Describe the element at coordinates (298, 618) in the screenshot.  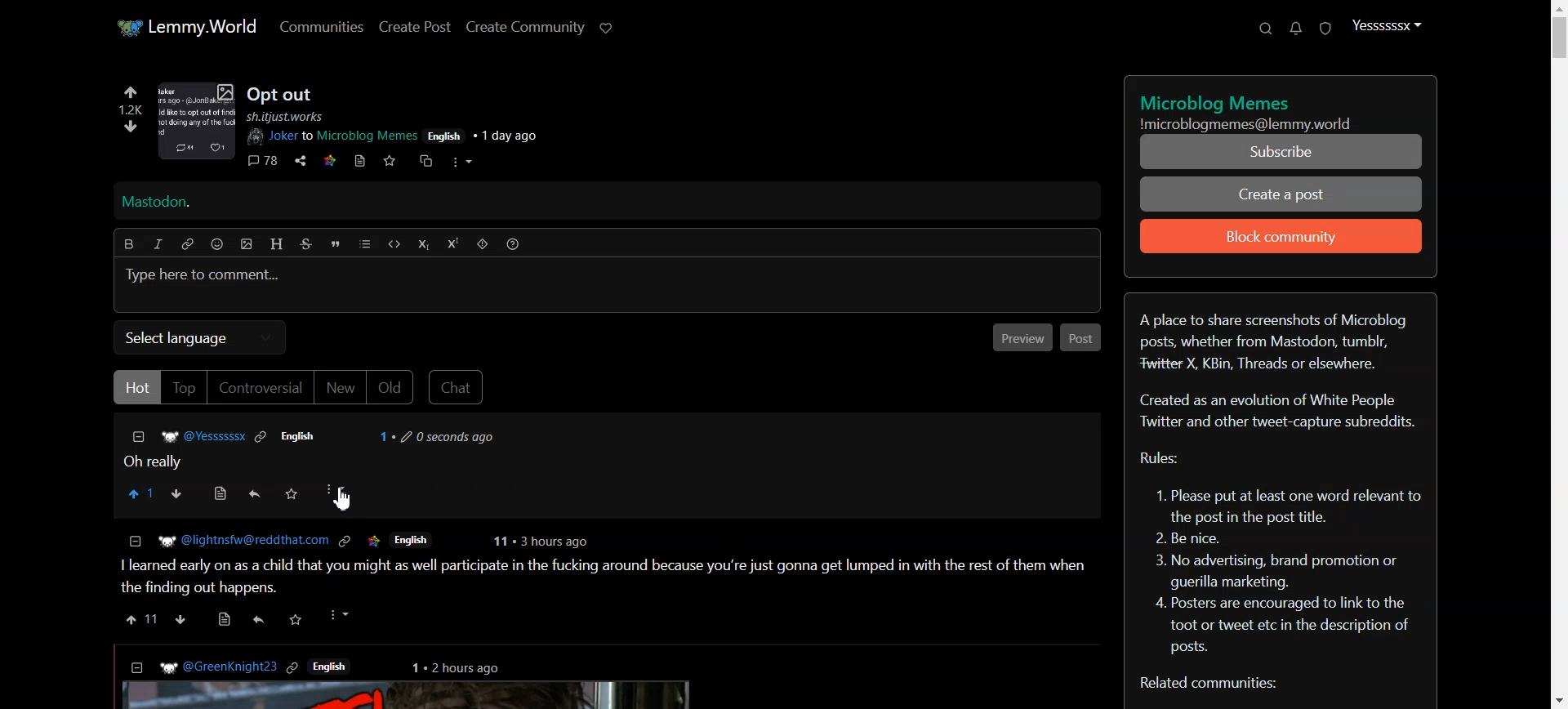
I see `save` at that location.